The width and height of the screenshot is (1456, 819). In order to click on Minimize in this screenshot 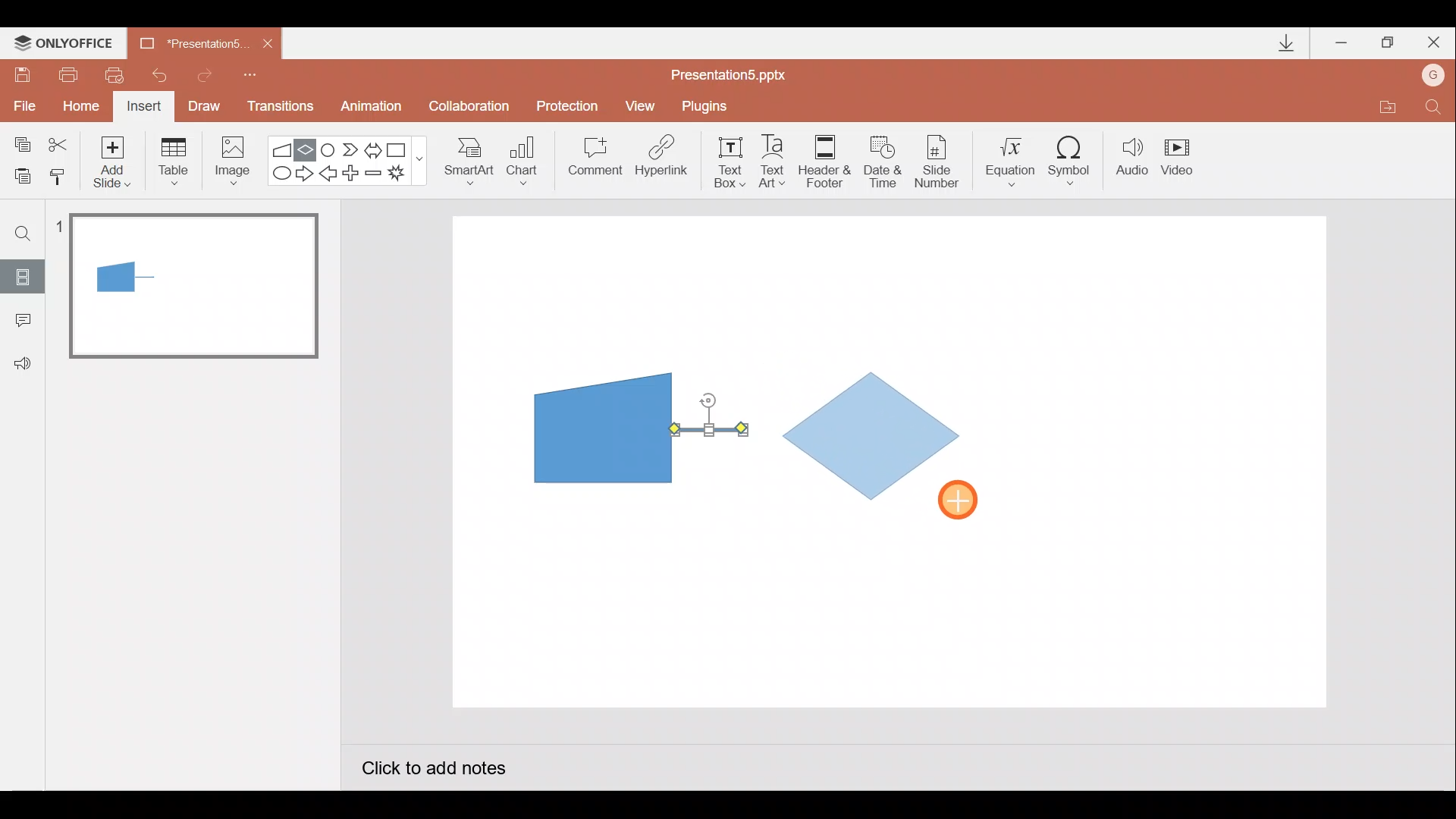, I will do `click(1343, 44)`.